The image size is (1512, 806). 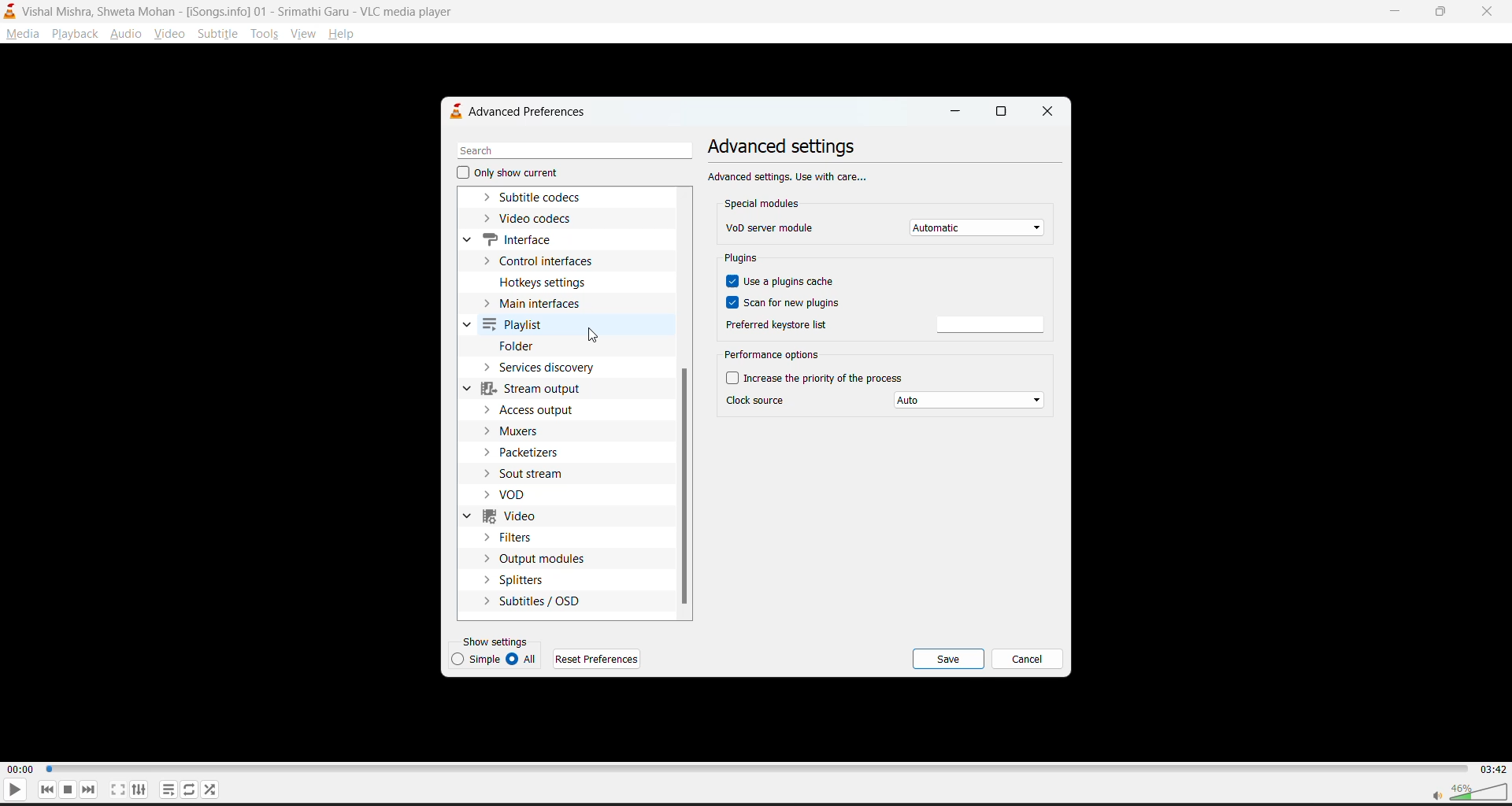 I want to click on subtitle, so click(x=218, y=35).